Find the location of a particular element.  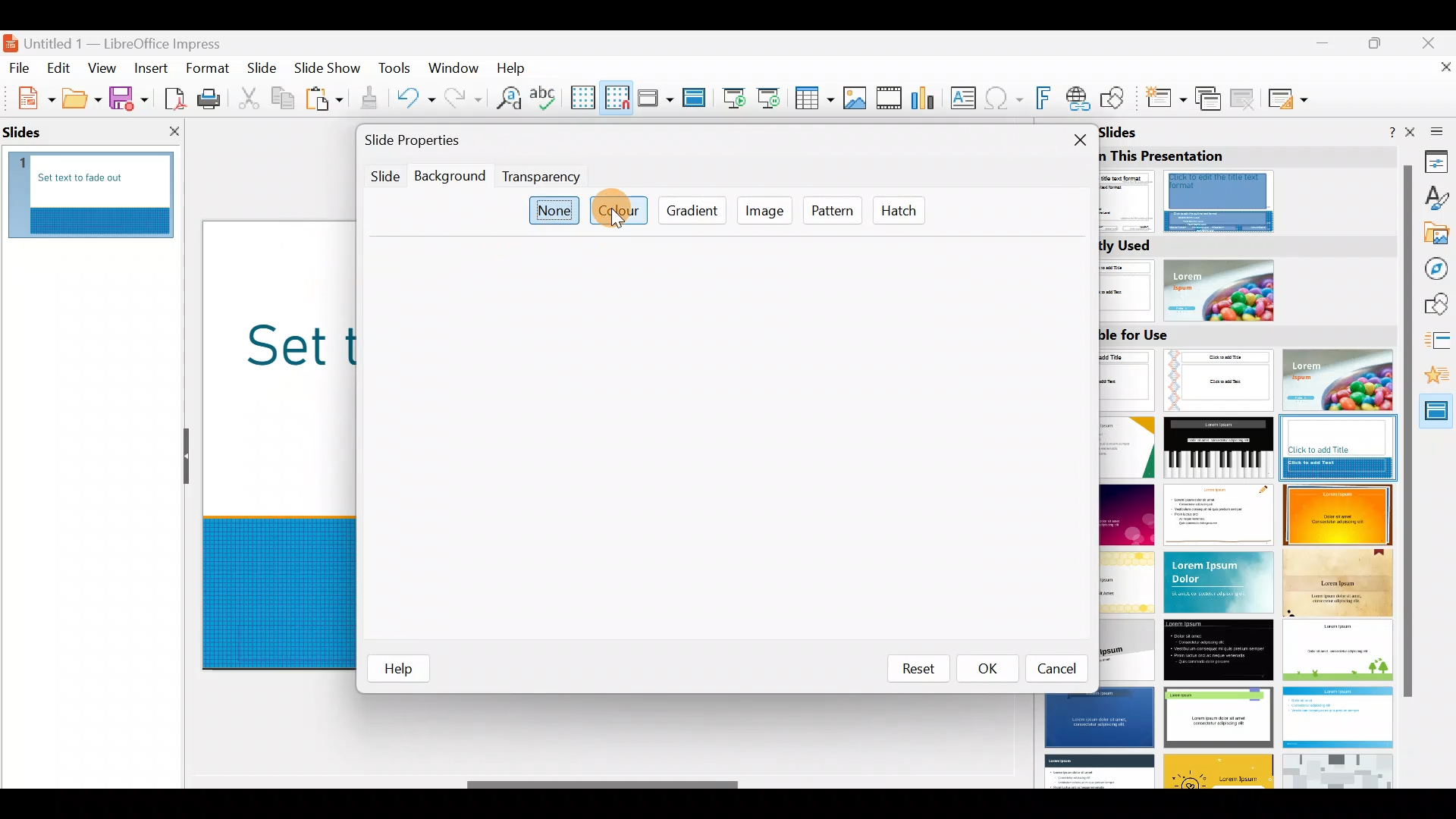

slides is located at coordinates (35, 131).